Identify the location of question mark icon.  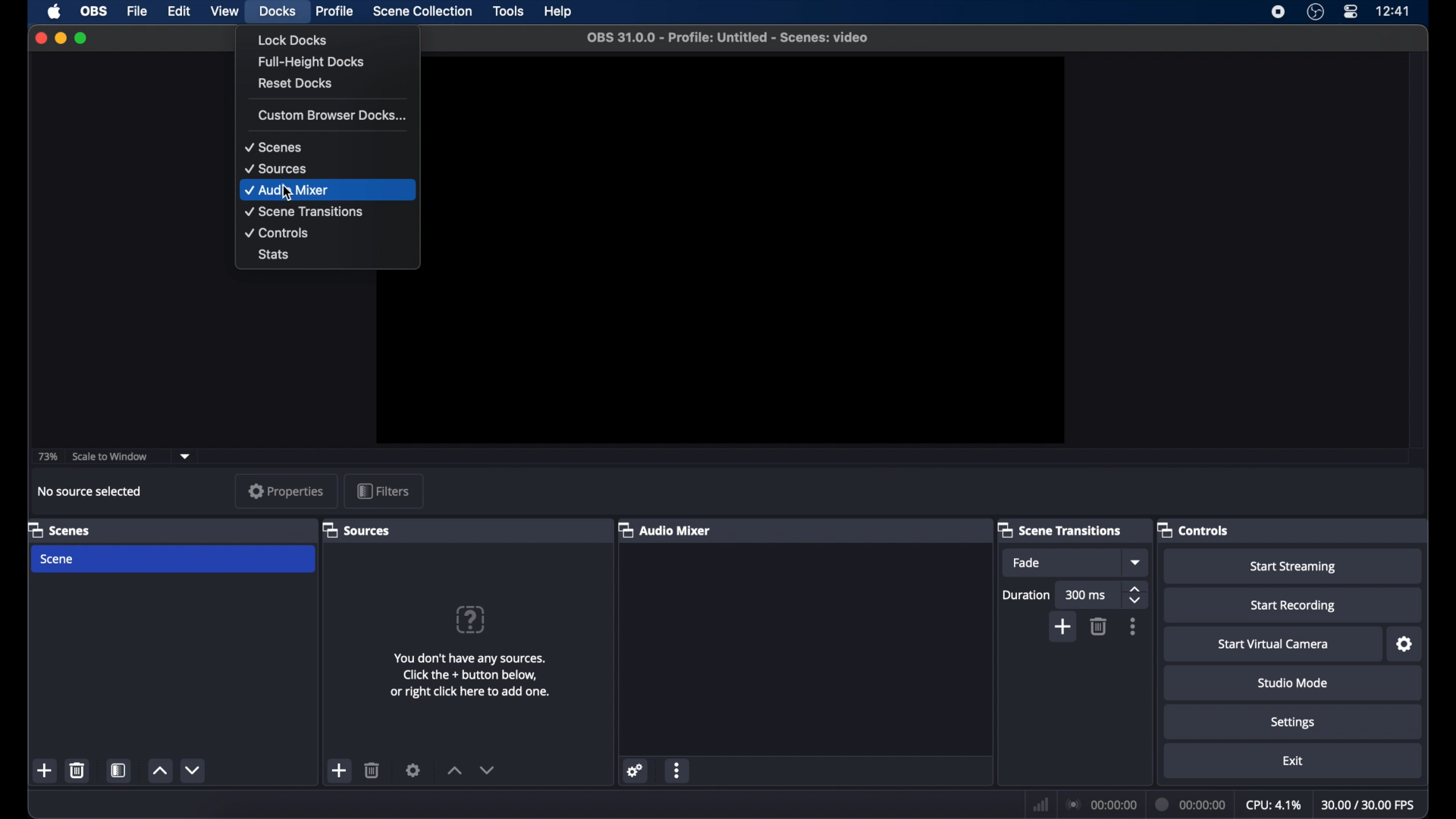
(469, 620).